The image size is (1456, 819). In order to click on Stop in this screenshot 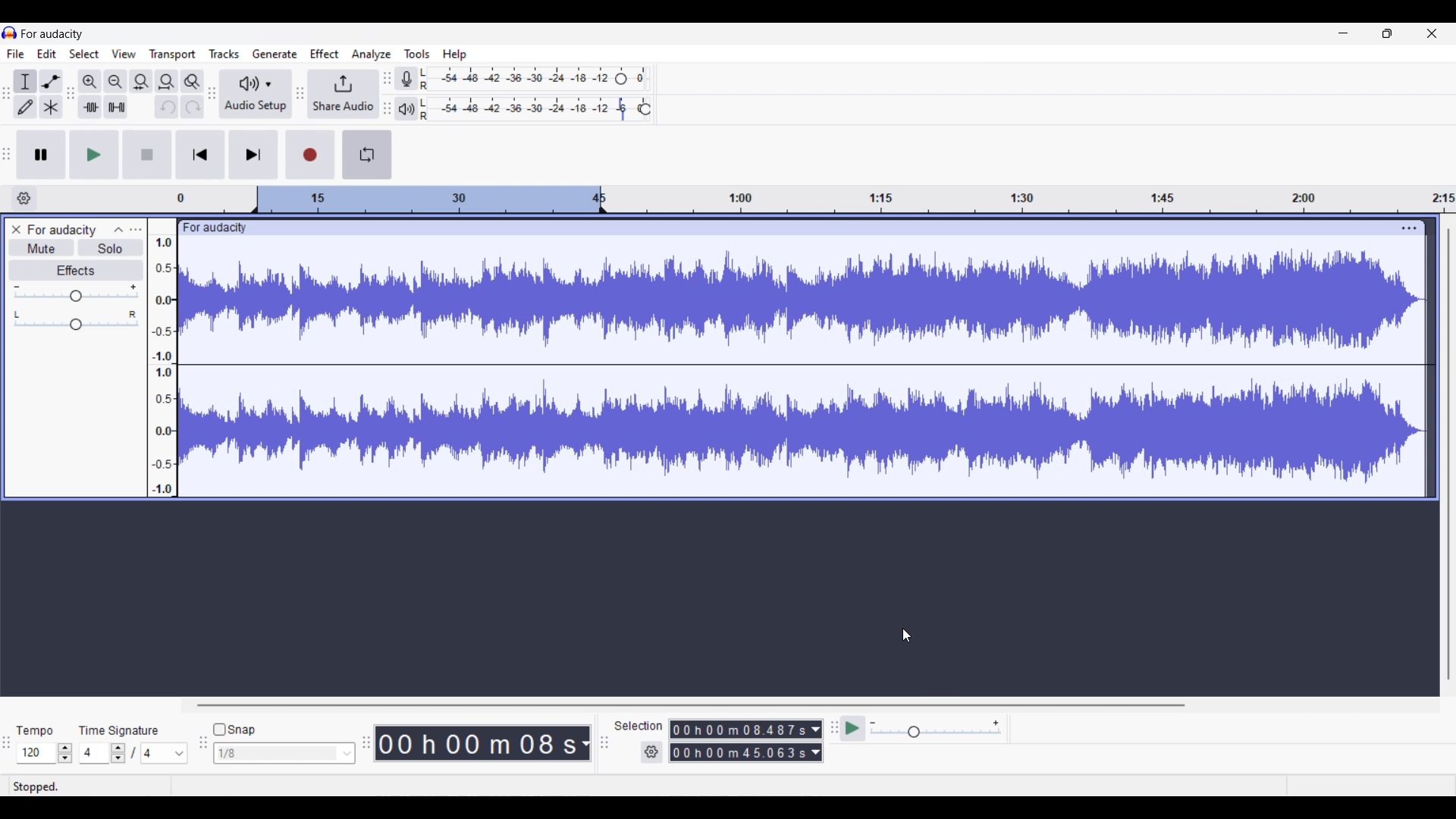, I will do `click(147, 154)`.